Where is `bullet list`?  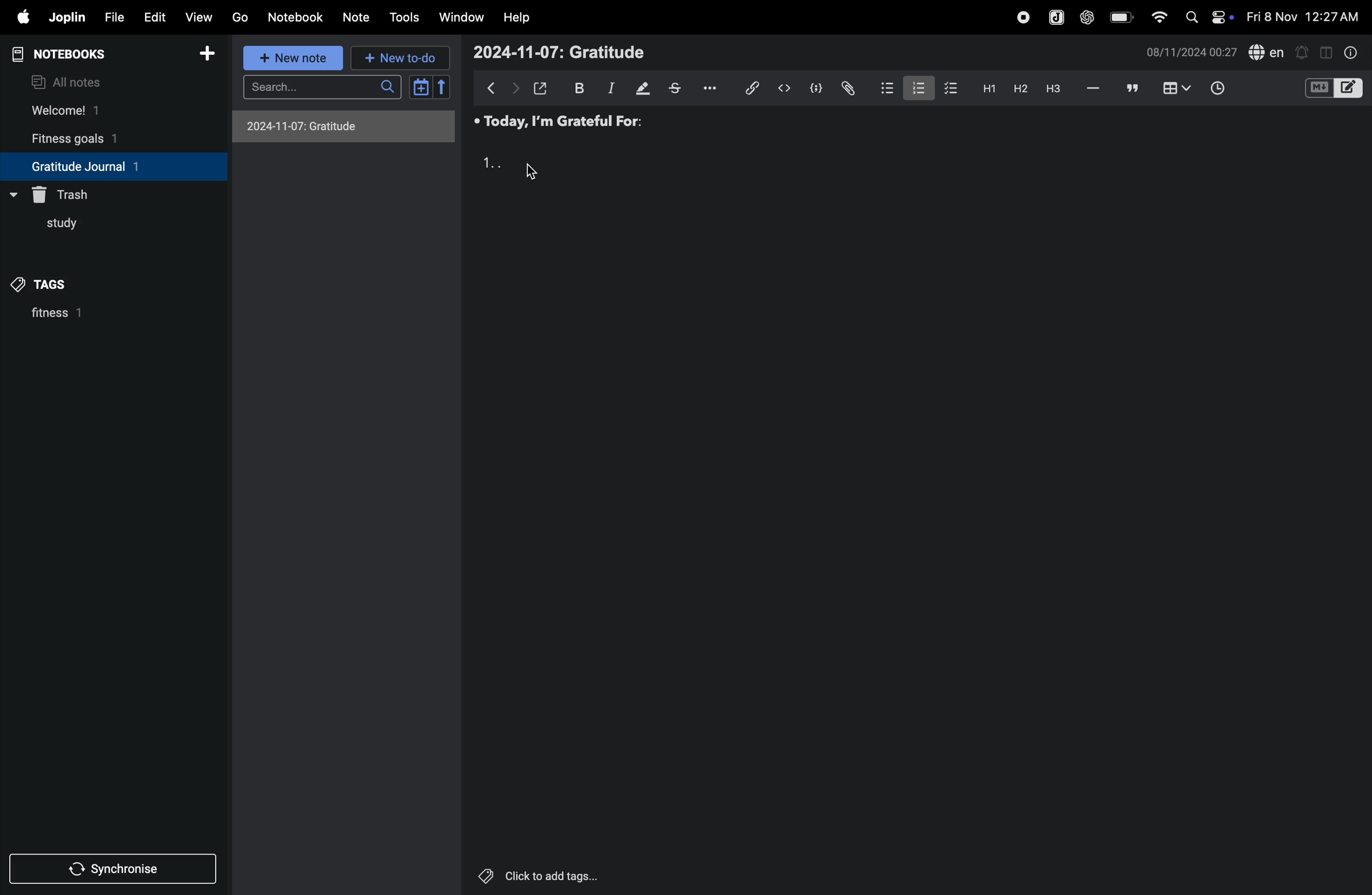 bullet list is located at coordinates (882, 88).